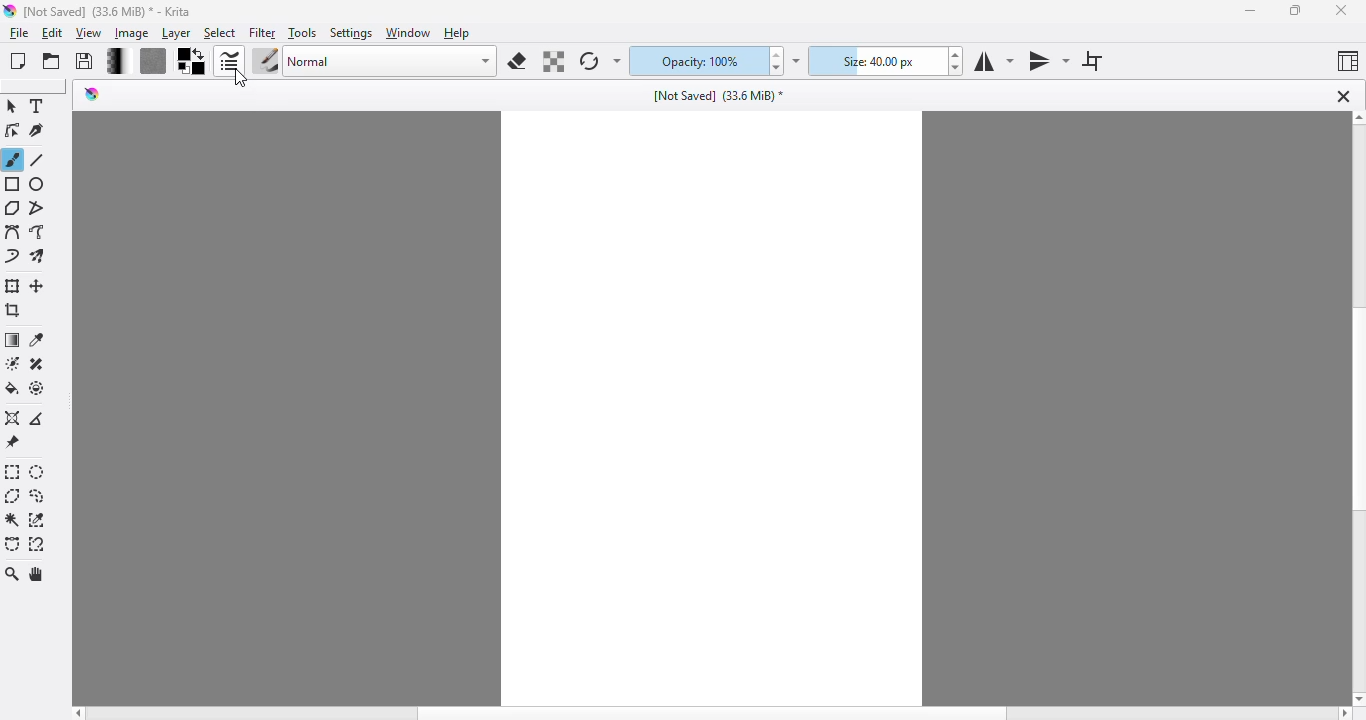  Describe the element at coordinates (176, 34) in the screenshot. I see `layer` at that location.